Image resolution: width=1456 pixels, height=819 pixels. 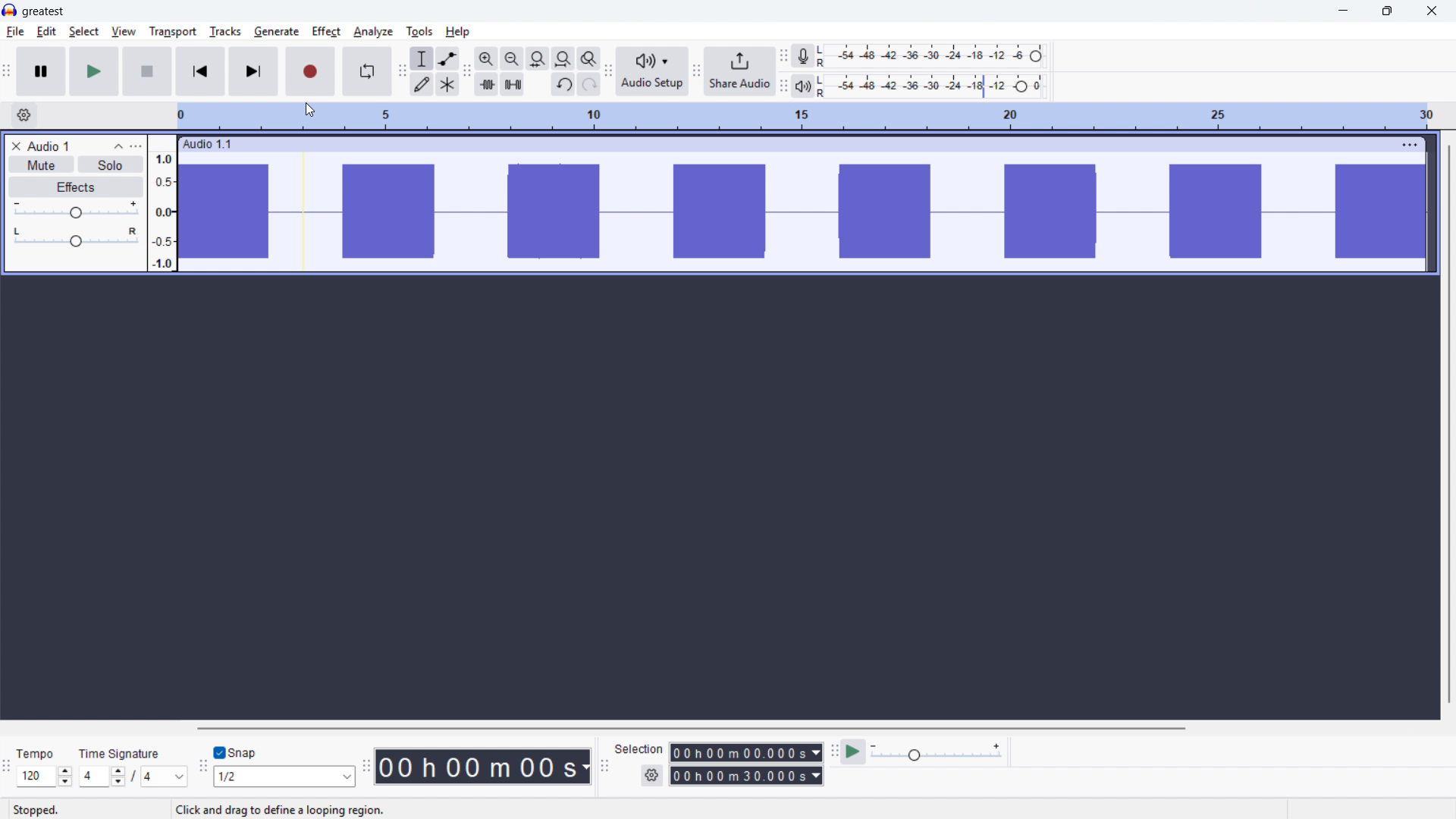 I want to click on edit toolbar, so click(x=468, y=72).